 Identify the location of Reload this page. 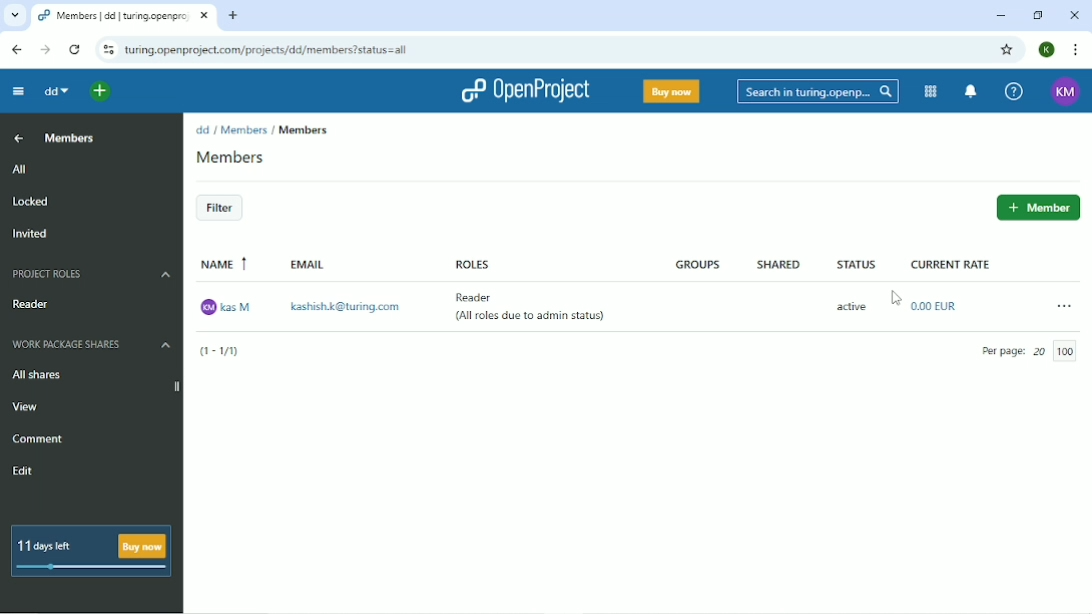
(74, 48).